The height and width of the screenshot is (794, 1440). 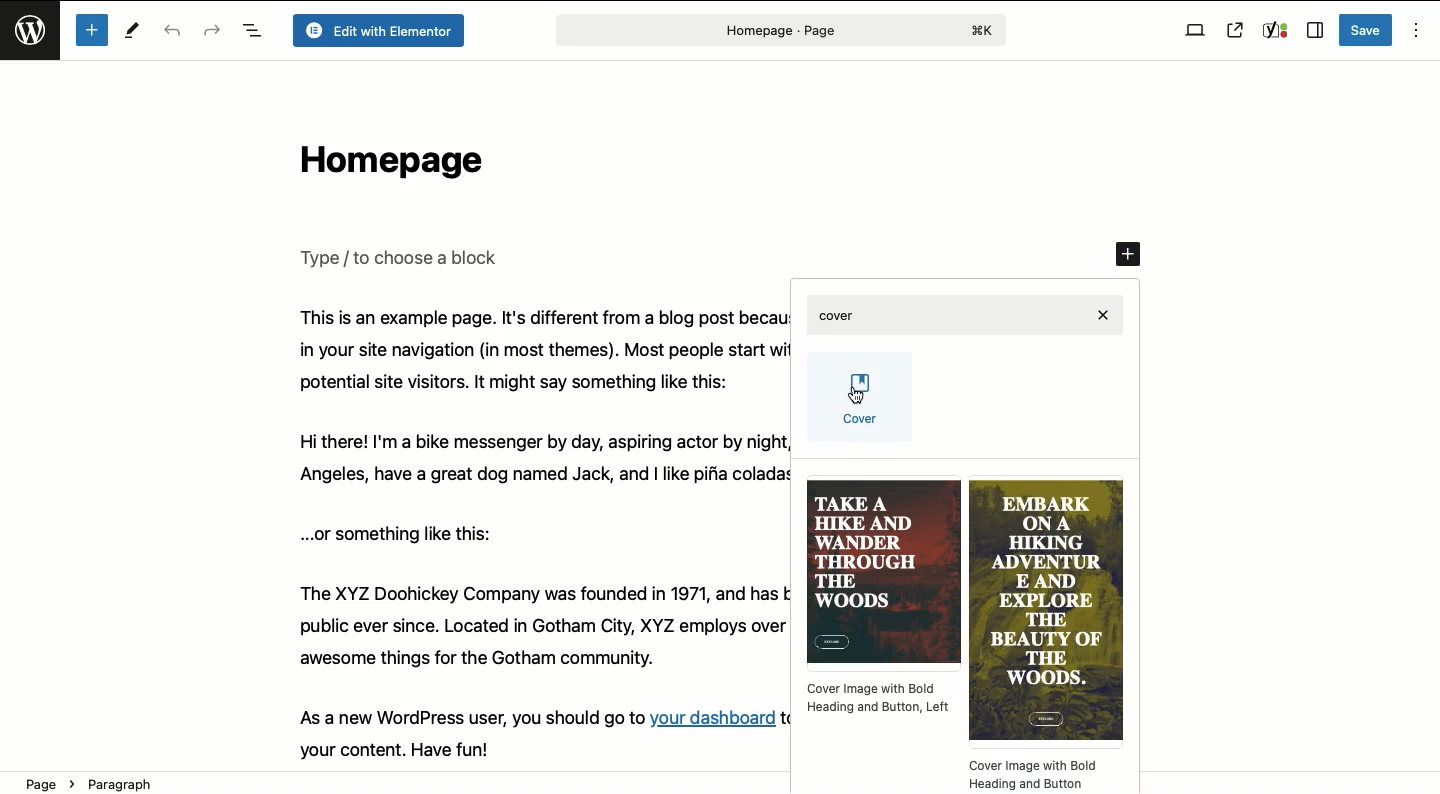 What do you see at coordinates (1045, 637) in the screenshot?
I see `Template` at bounding box center [1045, 637].